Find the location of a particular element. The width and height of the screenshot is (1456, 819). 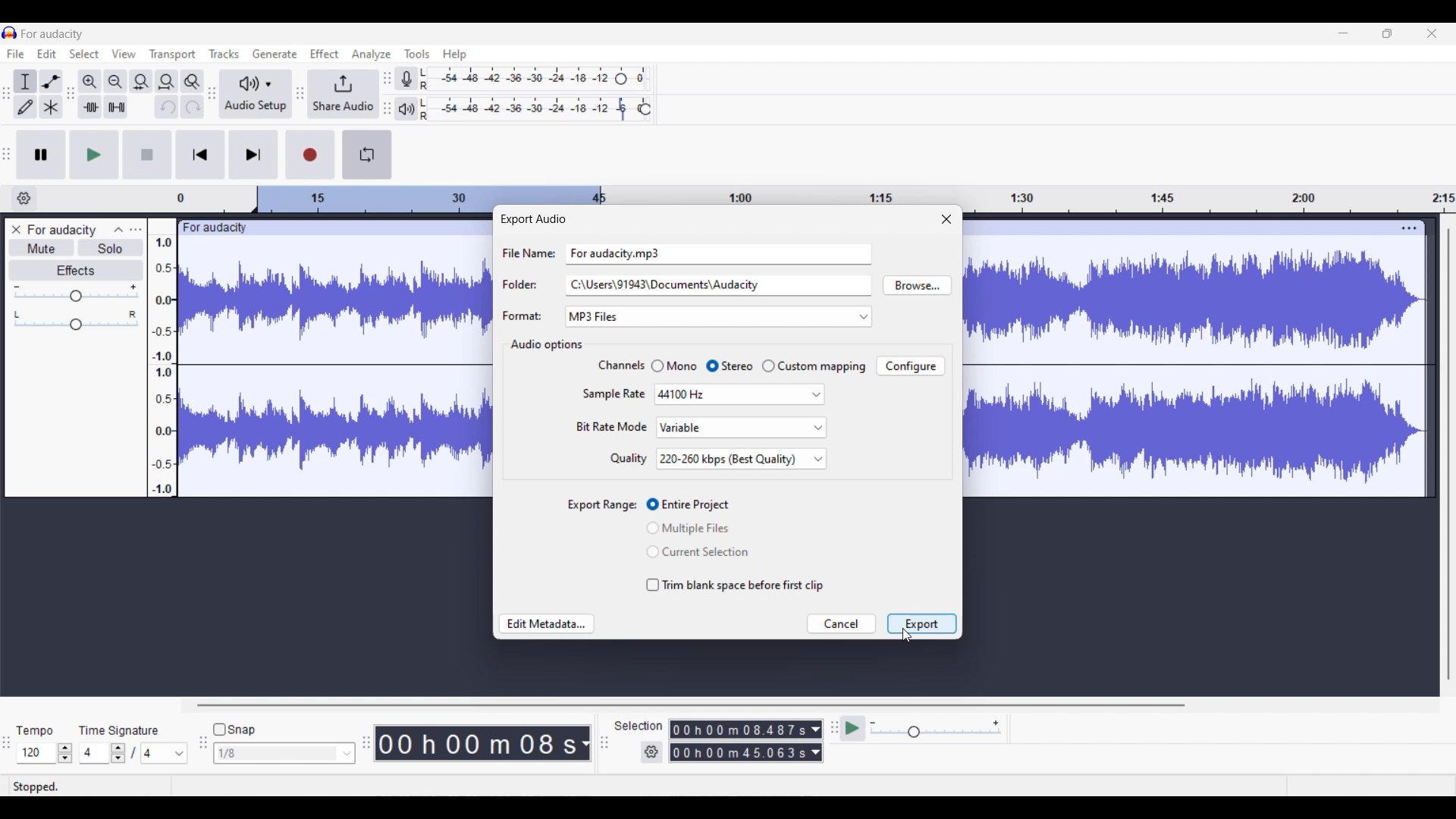

Tempo settings is located at coordinates (34, 731).